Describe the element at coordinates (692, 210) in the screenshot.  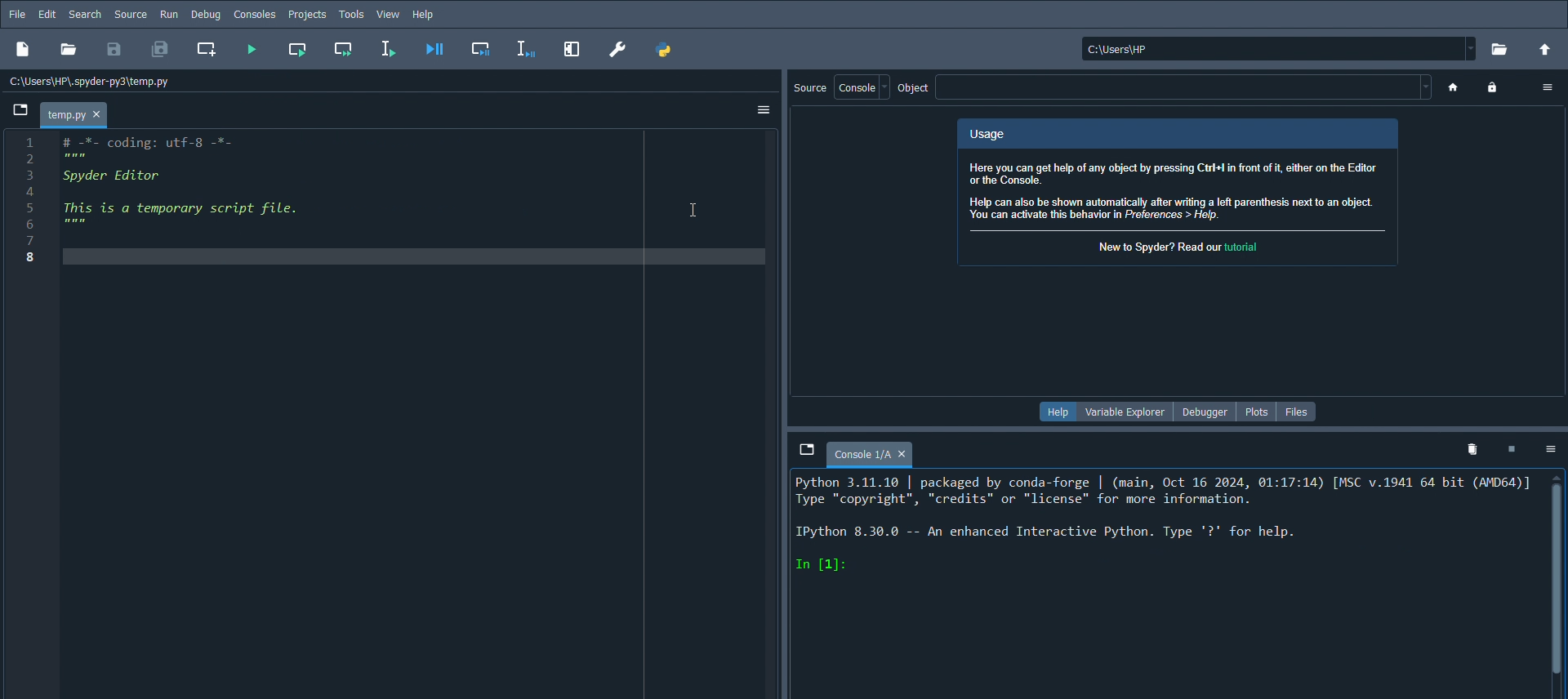
I see `Cursor` at that location.